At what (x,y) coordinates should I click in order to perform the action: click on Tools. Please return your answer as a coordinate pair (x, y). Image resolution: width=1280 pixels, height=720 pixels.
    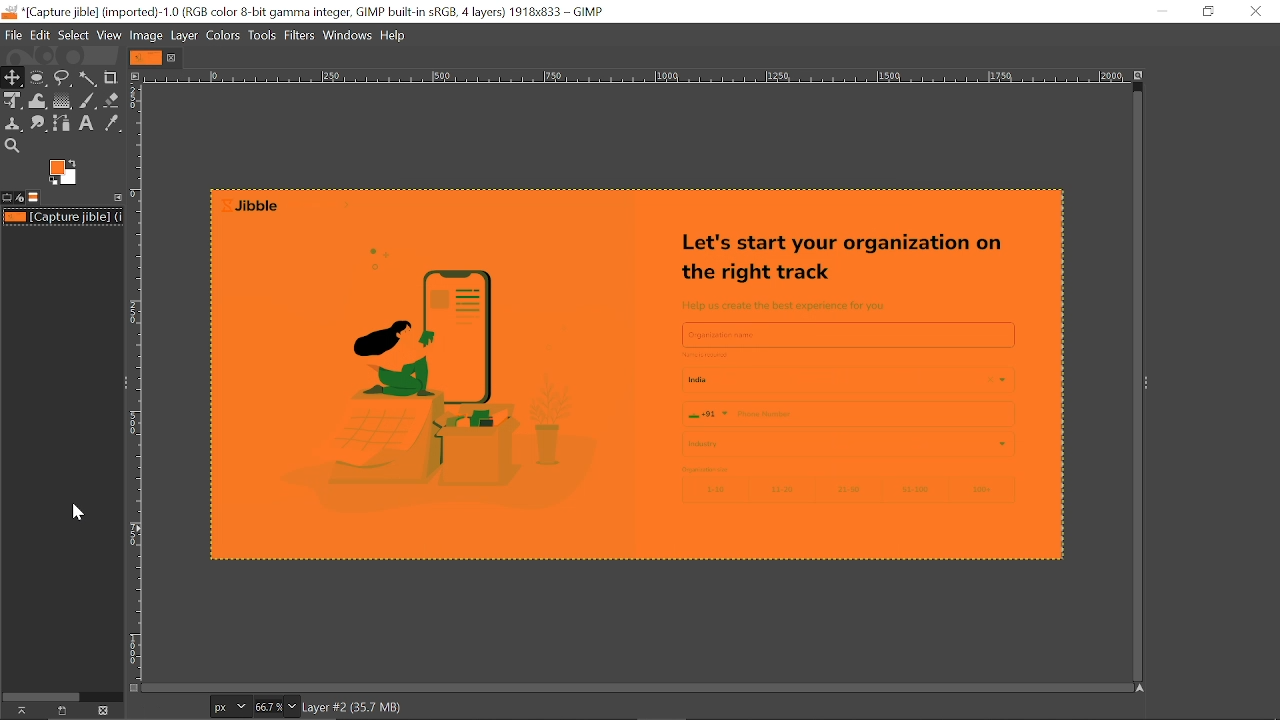
    Looking at the image, I should click on (261, 35).